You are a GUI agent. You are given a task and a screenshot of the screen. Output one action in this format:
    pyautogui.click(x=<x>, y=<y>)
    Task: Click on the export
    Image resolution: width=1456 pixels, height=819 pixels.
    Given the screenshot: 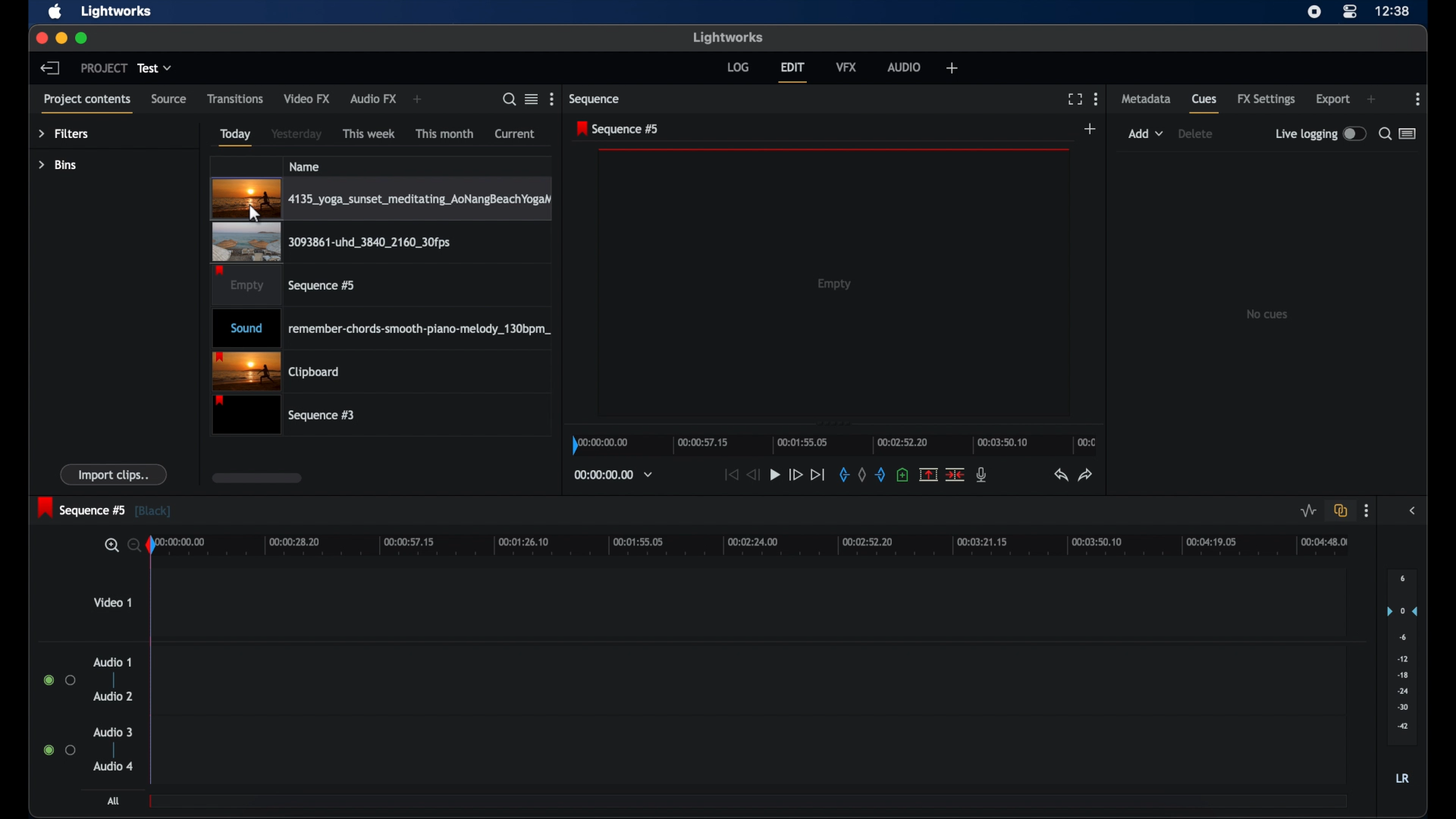 What is the action you would take?
    pyautogui.click(x=1334, y=99)
    